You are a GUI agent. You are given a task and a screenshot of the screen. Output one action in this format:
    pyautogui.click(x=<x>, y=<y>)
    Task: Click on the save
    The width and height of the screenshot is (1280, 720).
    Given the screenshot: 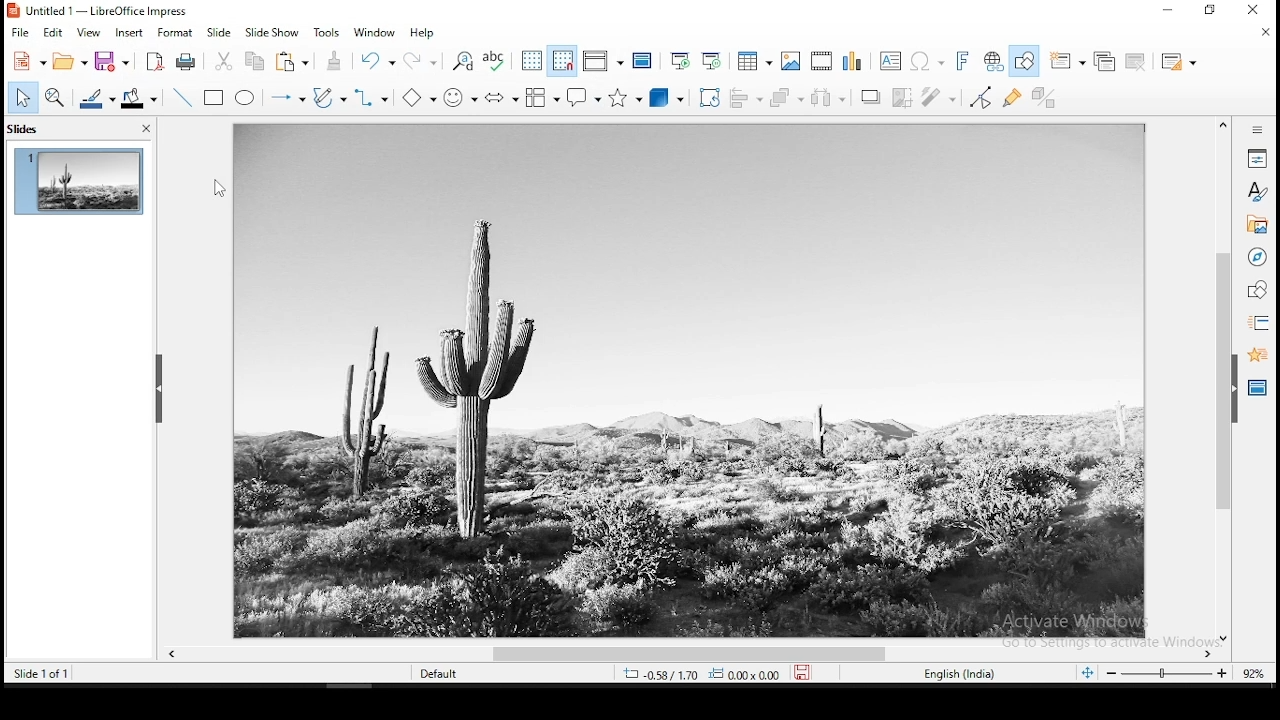 What is the action you would take?
    pyautogui.click(x=803, y=675)
    